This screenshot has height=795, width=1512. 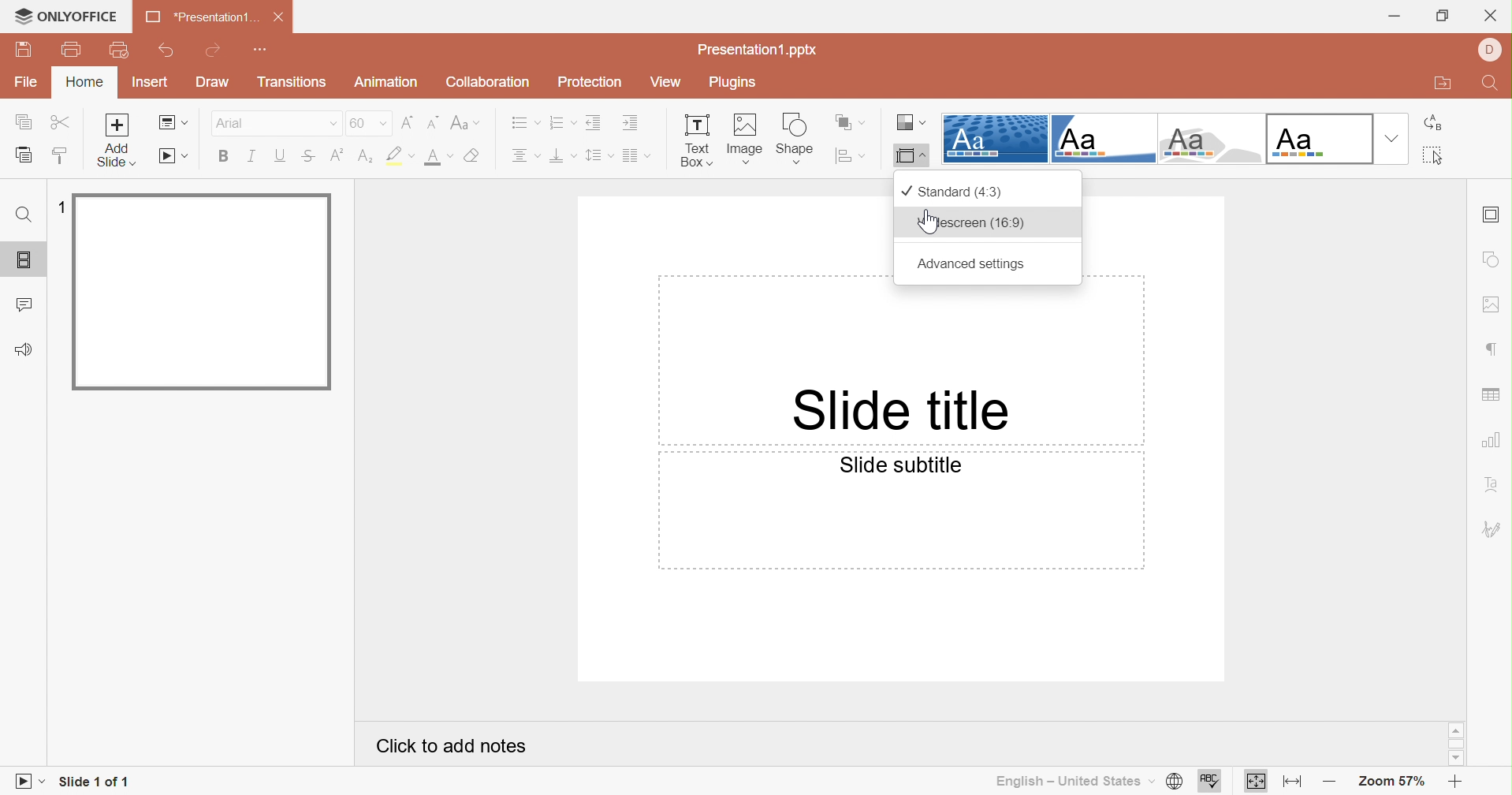 What do you see at coordinates (850, 123) in the screenshot?
I see `Arrange shape` at bounding box center [850, 123].